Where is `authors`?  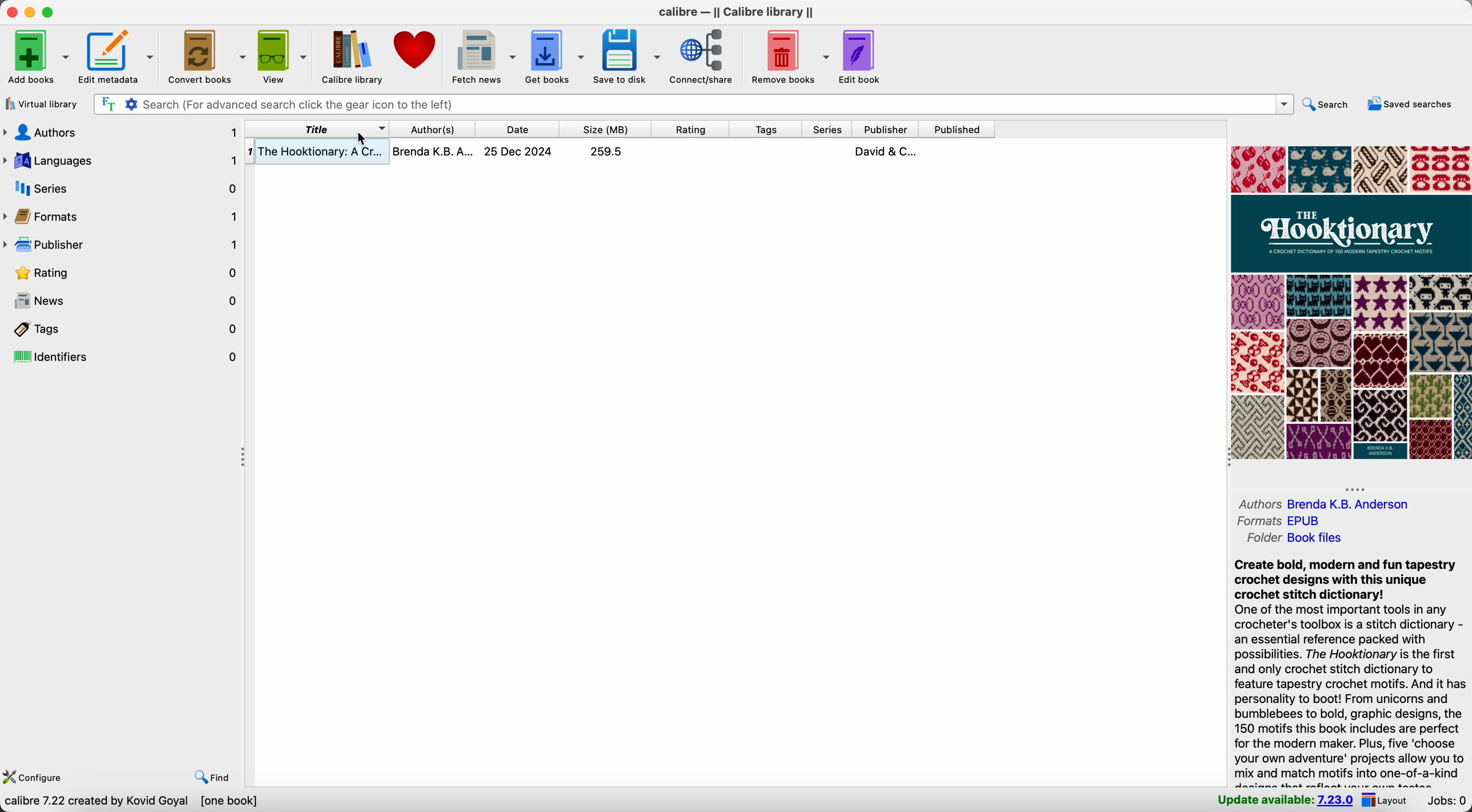 authors is located at coordinates (1327, 503).